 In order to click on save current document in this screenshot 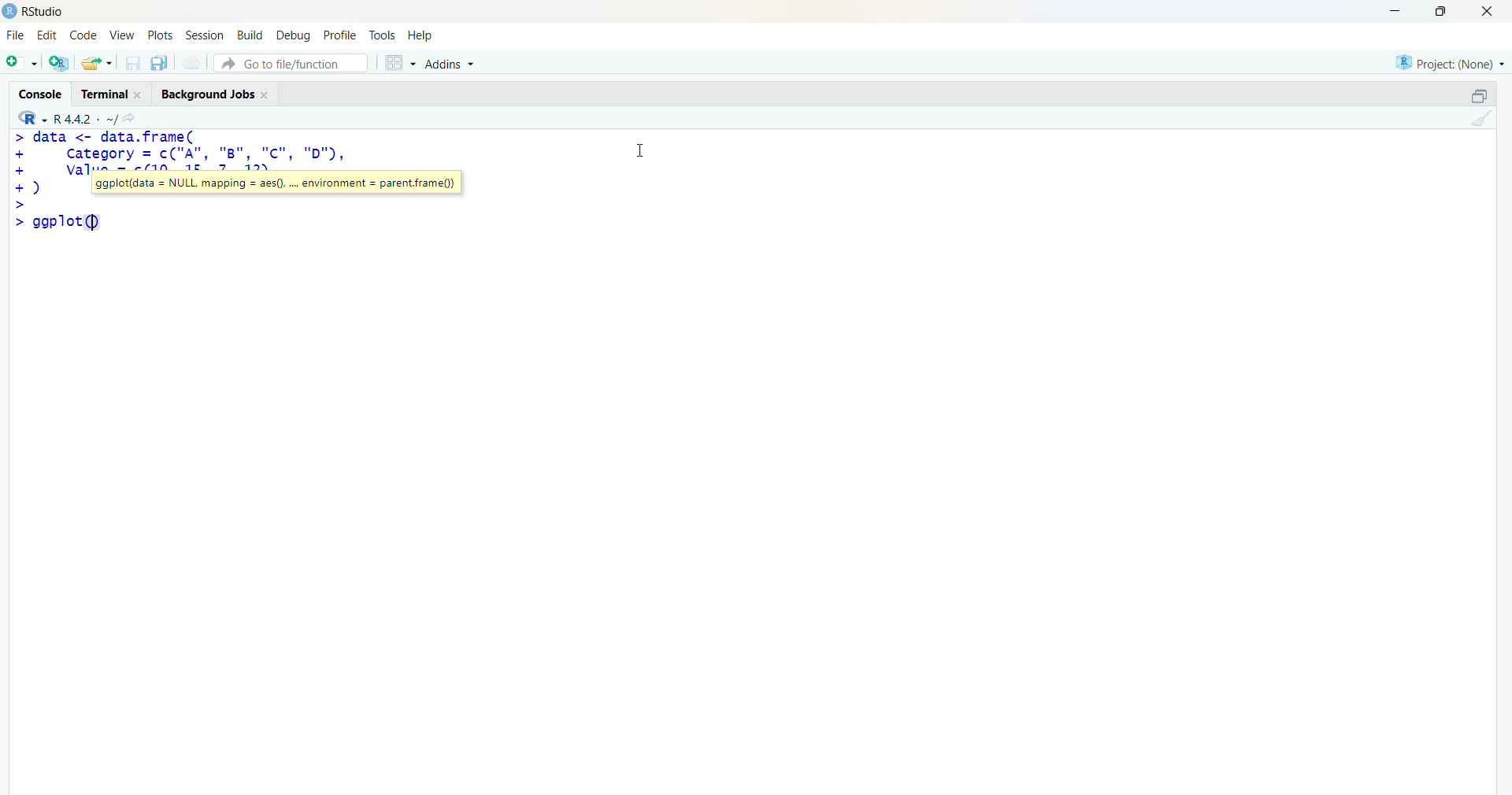, I will do `click(132, 63)`.